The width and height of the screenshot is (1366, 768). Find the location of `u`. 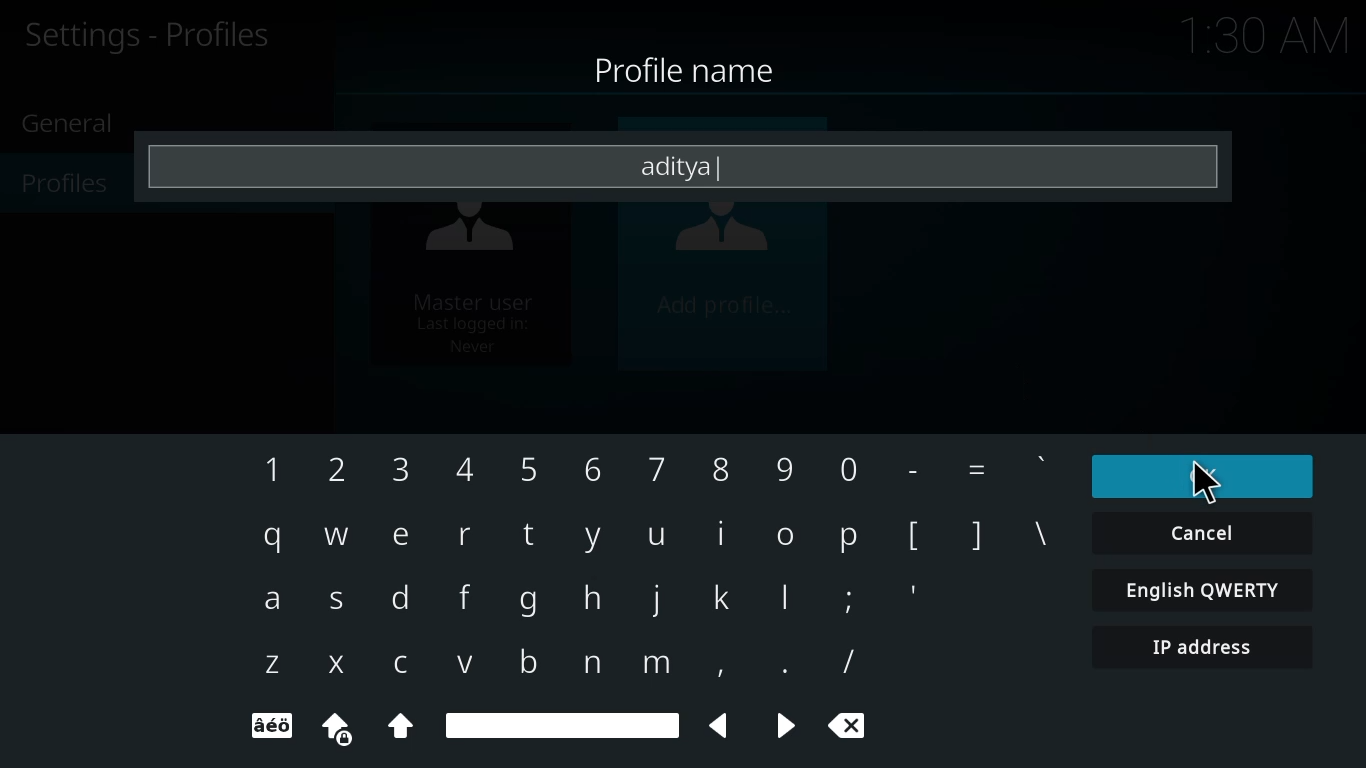

u is located at coordinates (656, 540).